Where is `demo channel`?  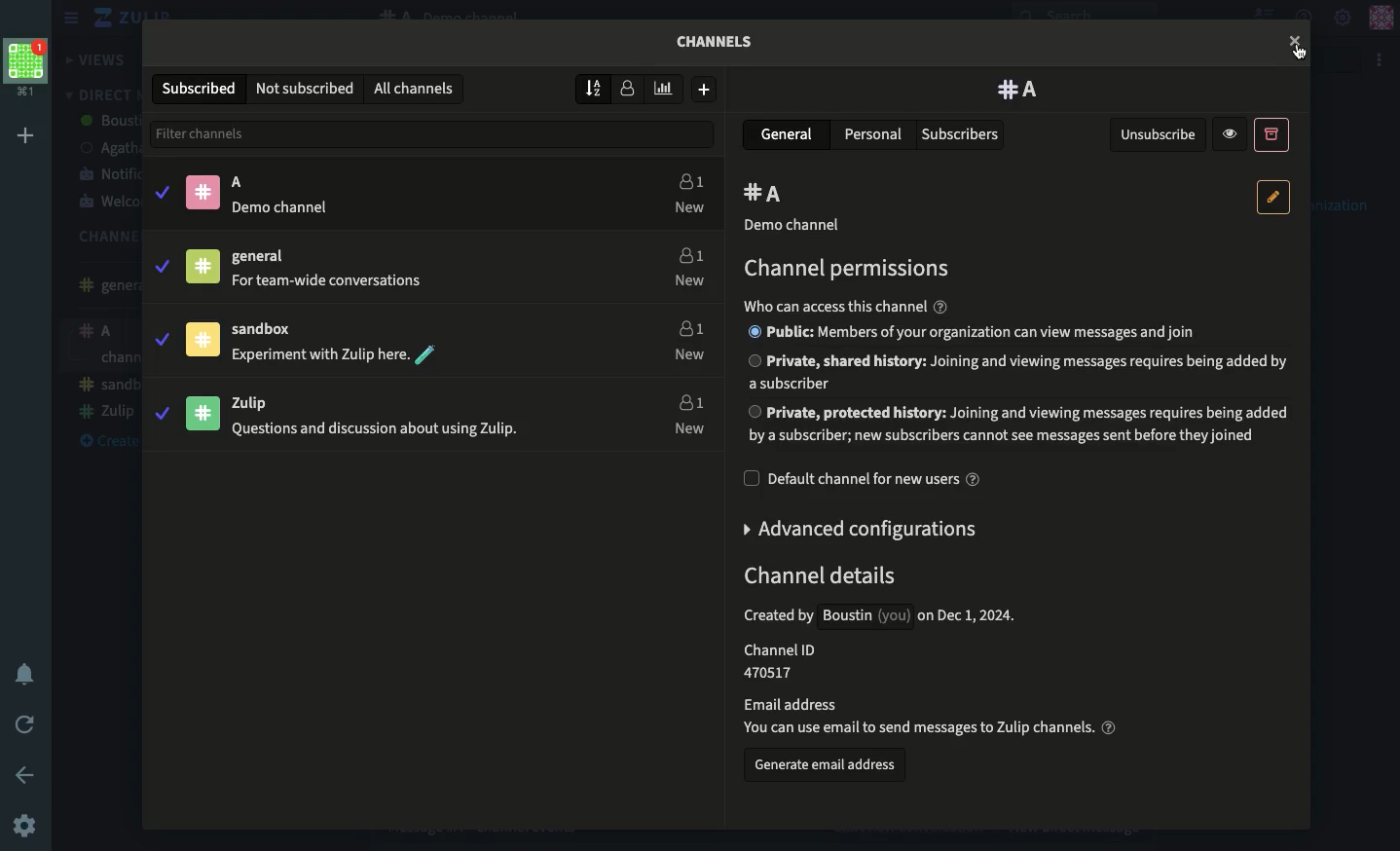
demo channel is located at coordinates (791, 226).